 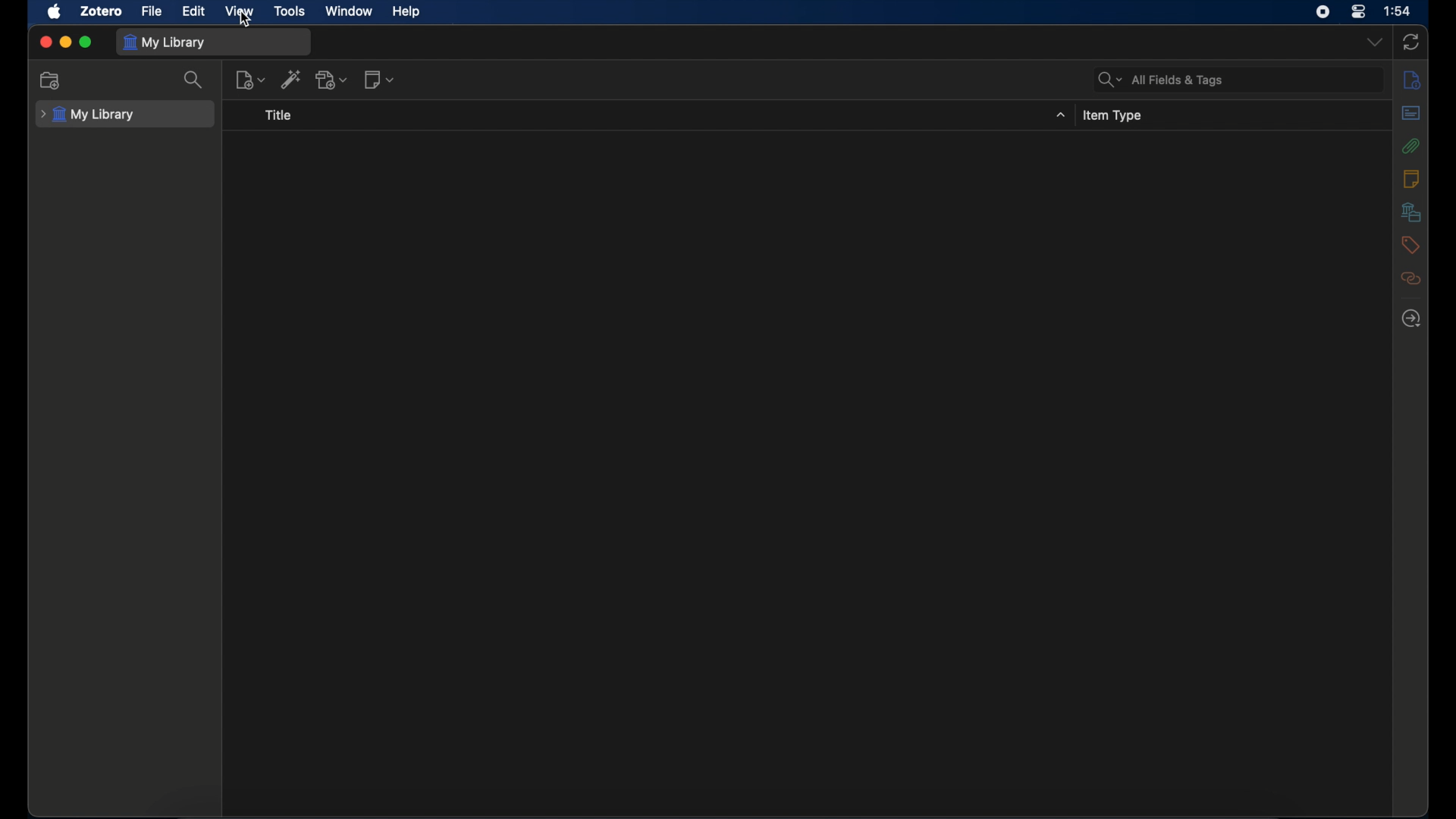 What do you see at coordinates (1357, 11) in the screenshot?
I see `control center` at bounding box center [1357, 11].